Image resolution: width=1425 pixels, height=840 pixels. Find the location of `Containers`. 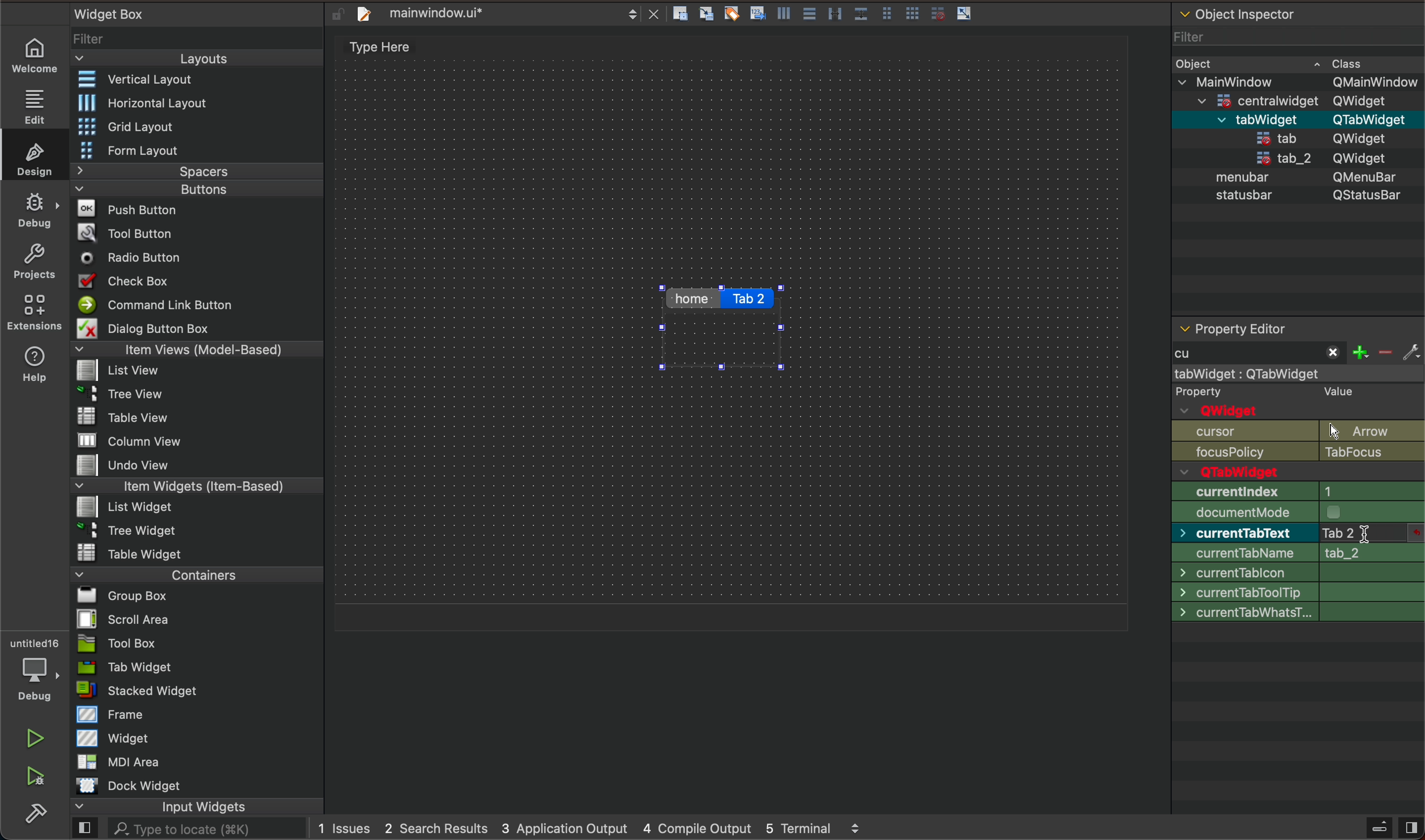

Containers is located at coordinates (194, 573).